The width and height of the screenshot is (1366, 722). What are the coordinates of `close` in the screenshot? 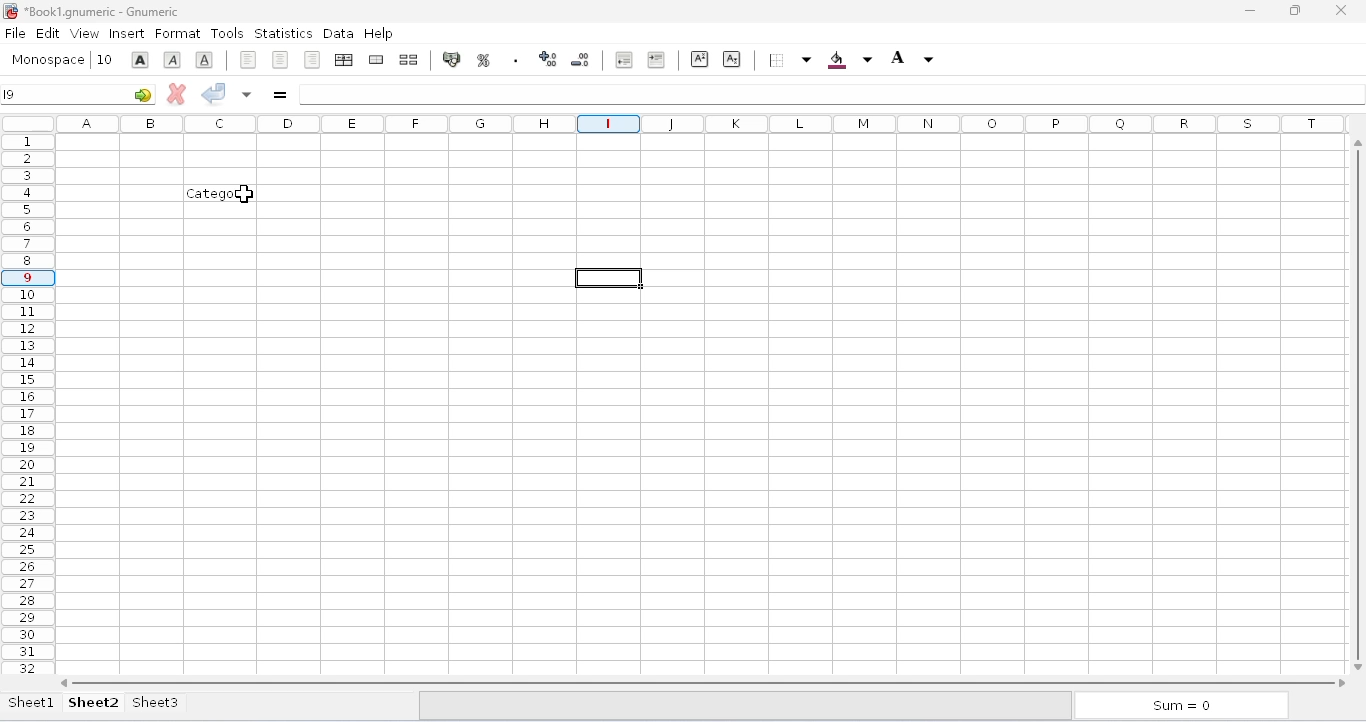 It's located at (1340, 9).